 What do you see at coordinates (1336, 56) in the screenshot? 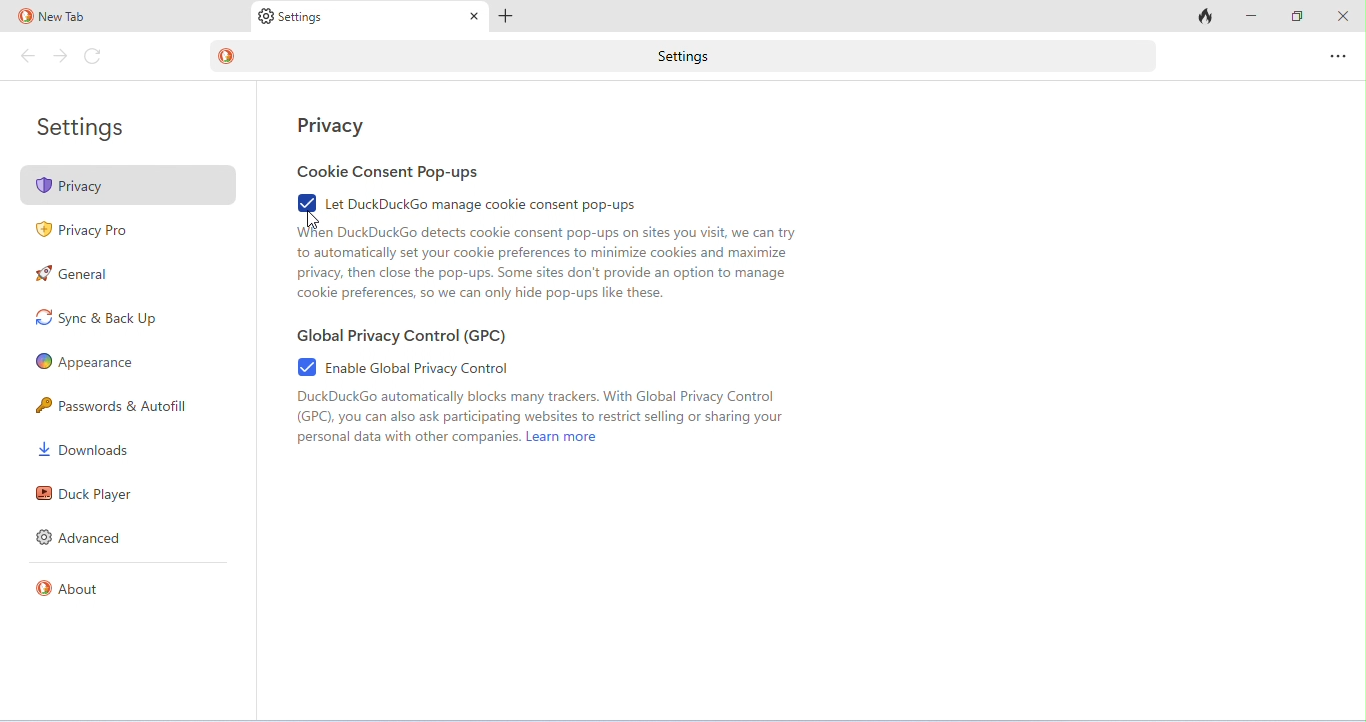
I see `send feedback, new tab, new window, settings and more` at bounding box center [1336, 56].